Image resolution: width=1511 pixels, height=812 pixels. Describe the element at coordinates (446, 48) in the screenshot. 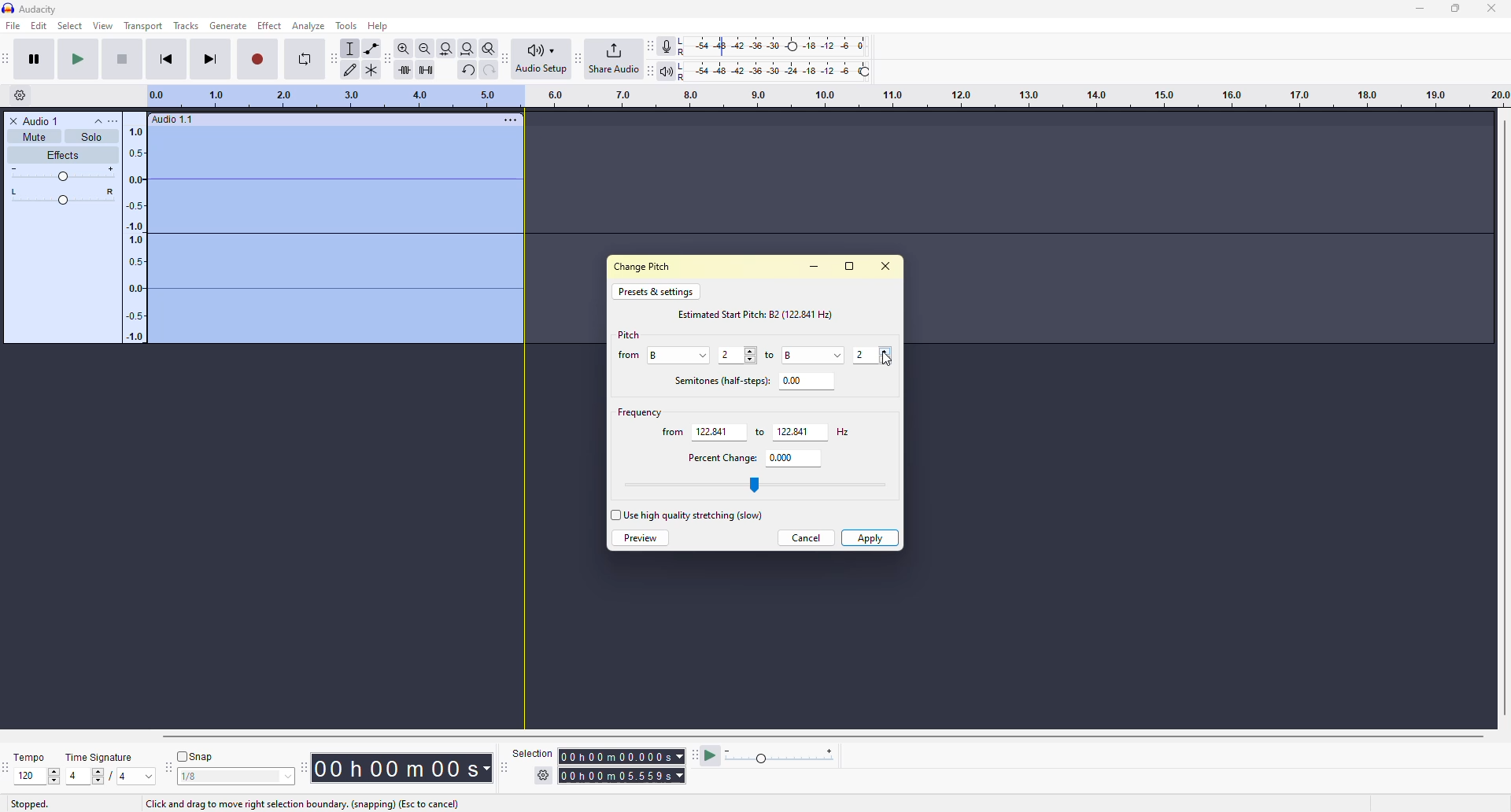

I see `fit selection to width` at that location.